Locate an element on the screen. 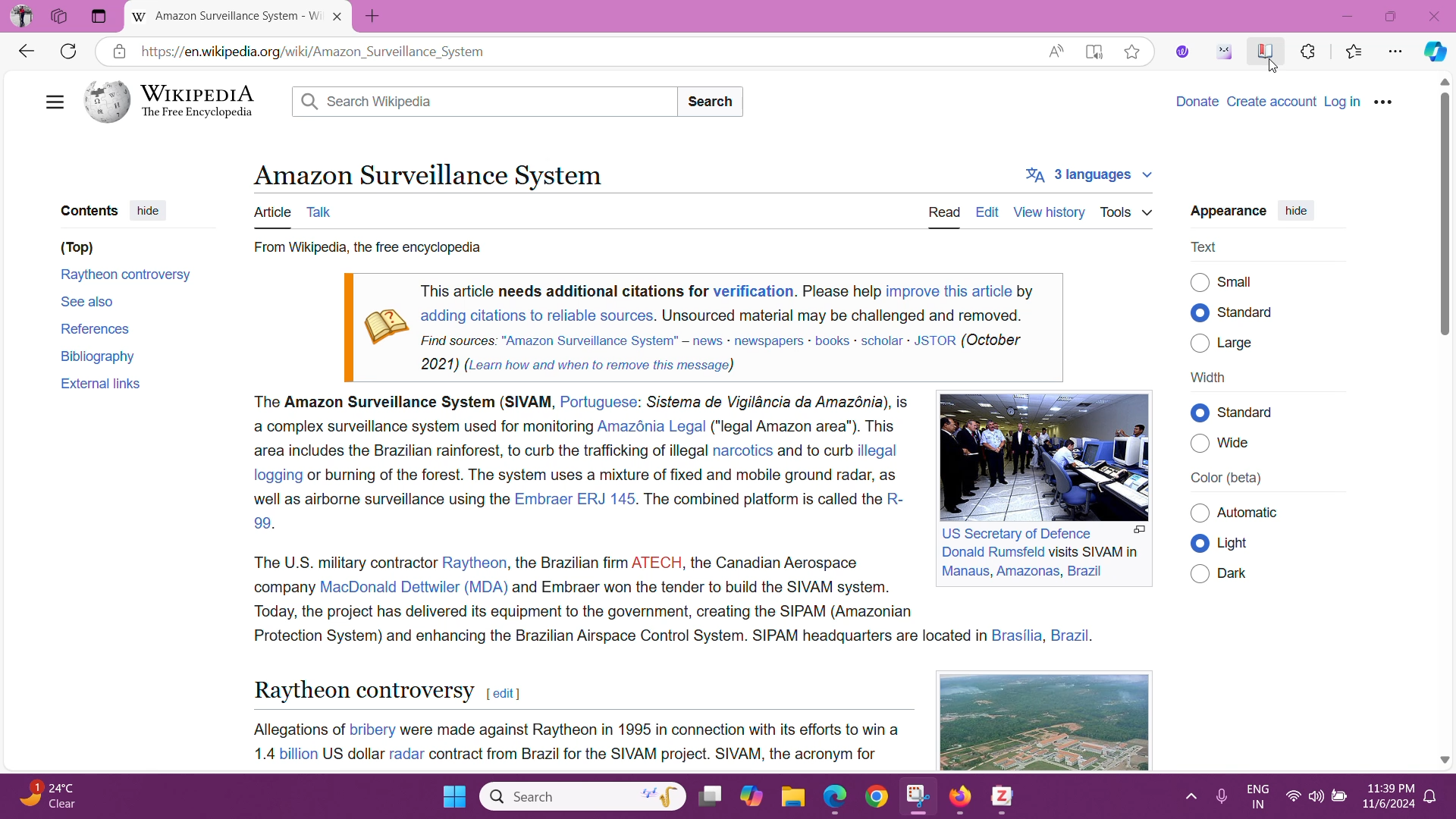 The width and height of the screenshot is (1456, 819). or burning of the forest. The system uses a mixture of fixed and mobile ground radar, as is located at coordinates (605, 473).